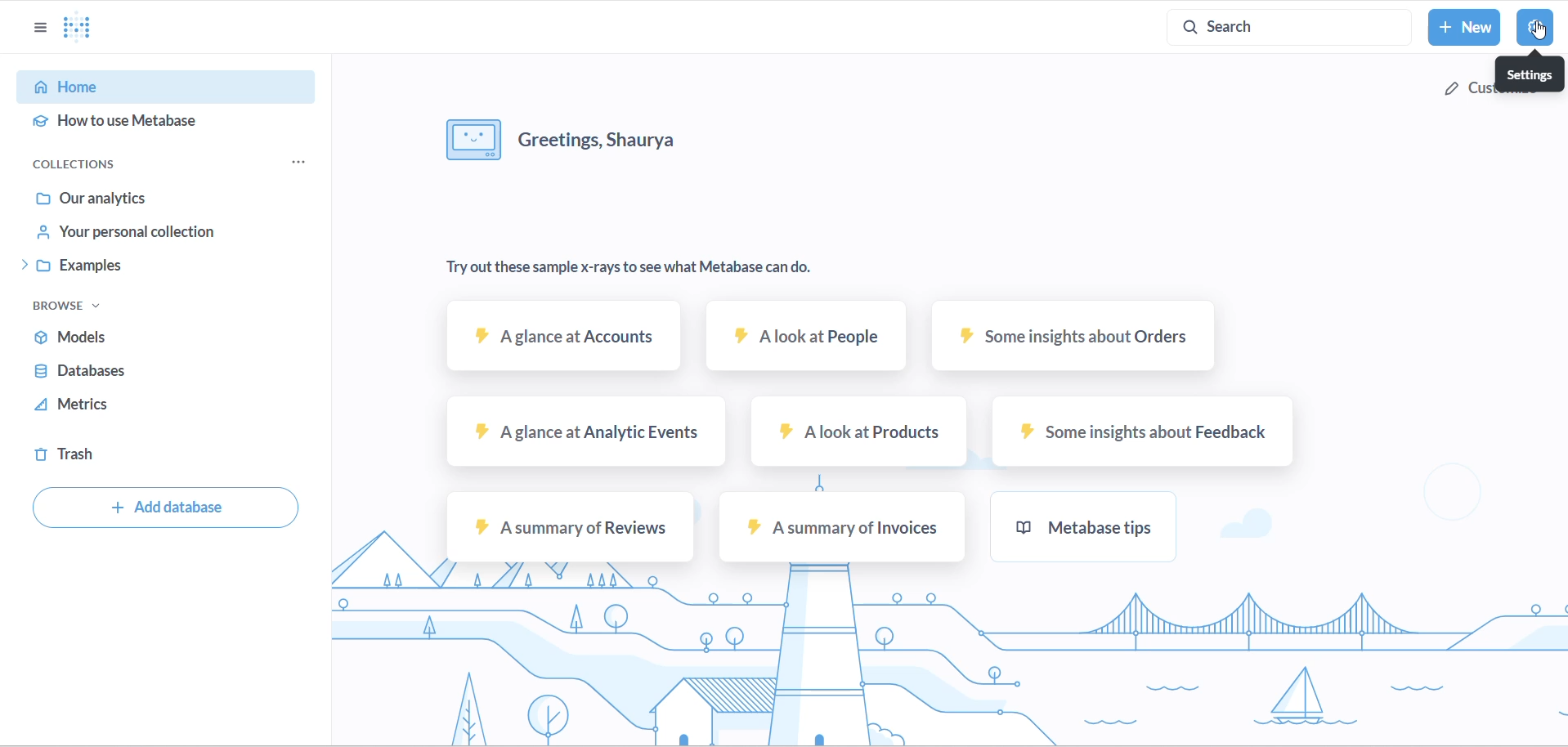  Describe the element at coordinates (611, 136) in the screenshot. I see `greeting, shaurya` at that location.